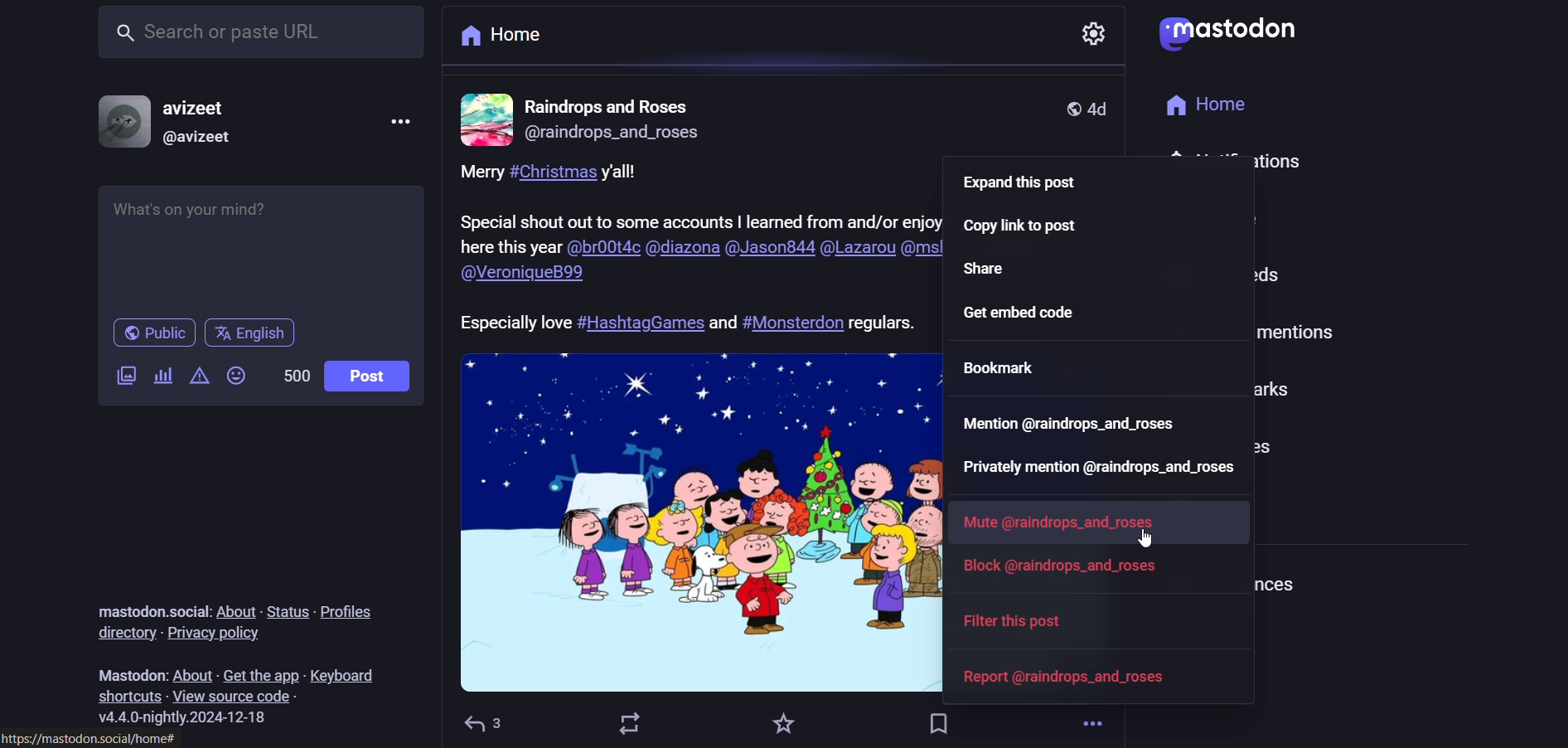 Image resolution: width=1568 pixels, height=748 pixels. What do you see at coordinates (1005, 619) in the screenshot?
I see `filet the post` at bounding box center [1005, 619].